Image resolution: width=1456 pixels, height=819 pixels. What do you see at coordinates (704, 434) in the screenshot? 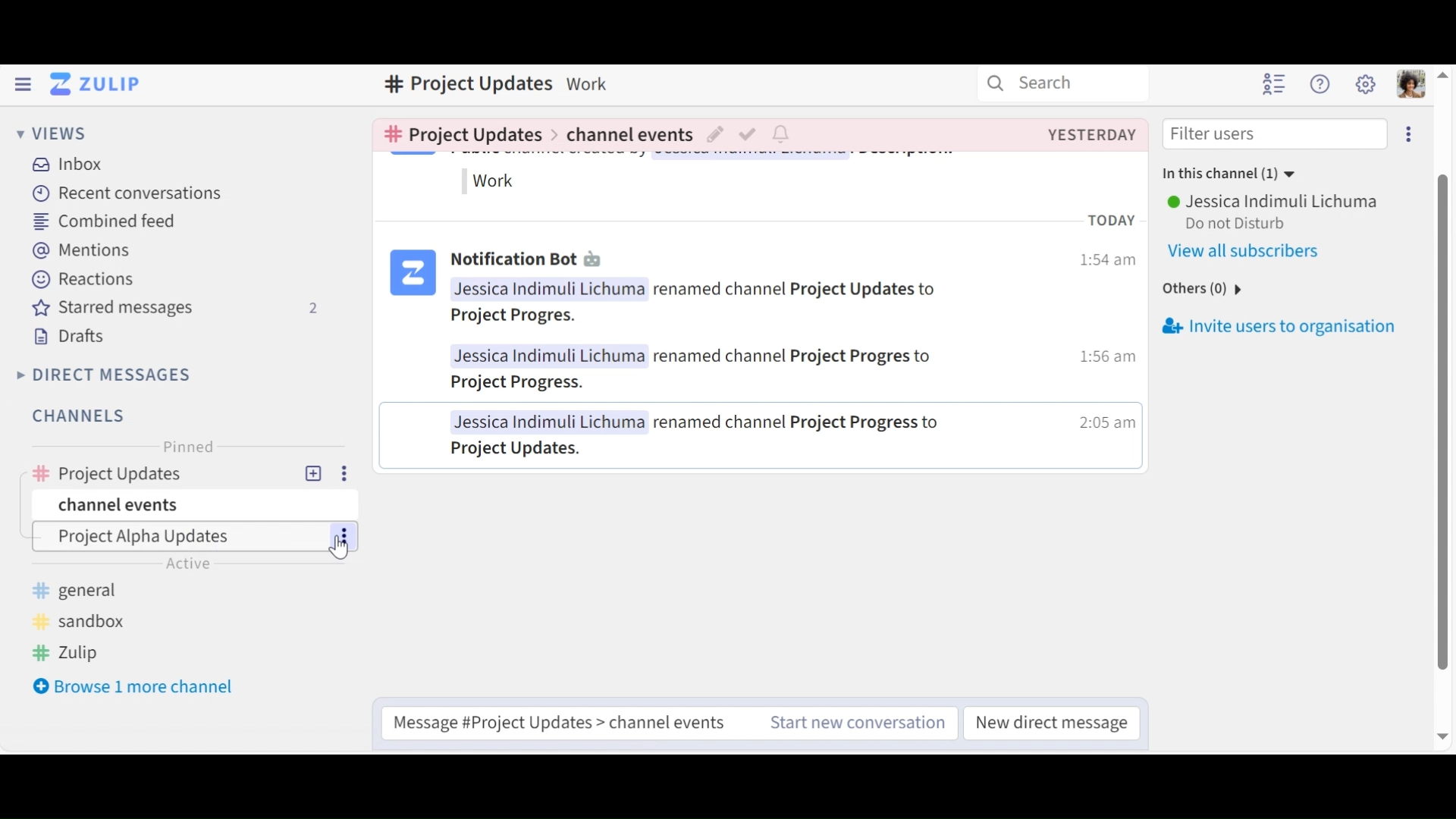
I see `Jessica Indimuli Lichuma renamed channel Project Progress to
Project Updates.` at bounding box center [704, 434].